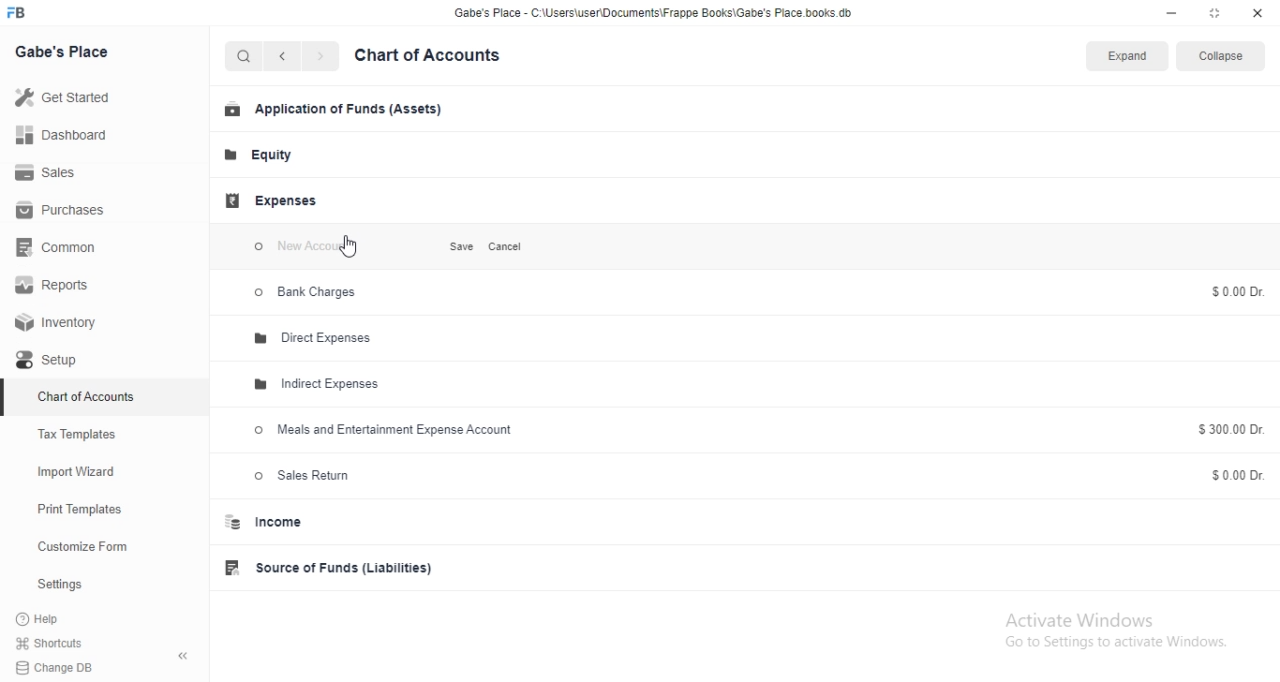 This screenshot has height=682, width=1280. Describe the element at coordinates (64, 137) in the screenshot. I see `Dashboard` at that location.